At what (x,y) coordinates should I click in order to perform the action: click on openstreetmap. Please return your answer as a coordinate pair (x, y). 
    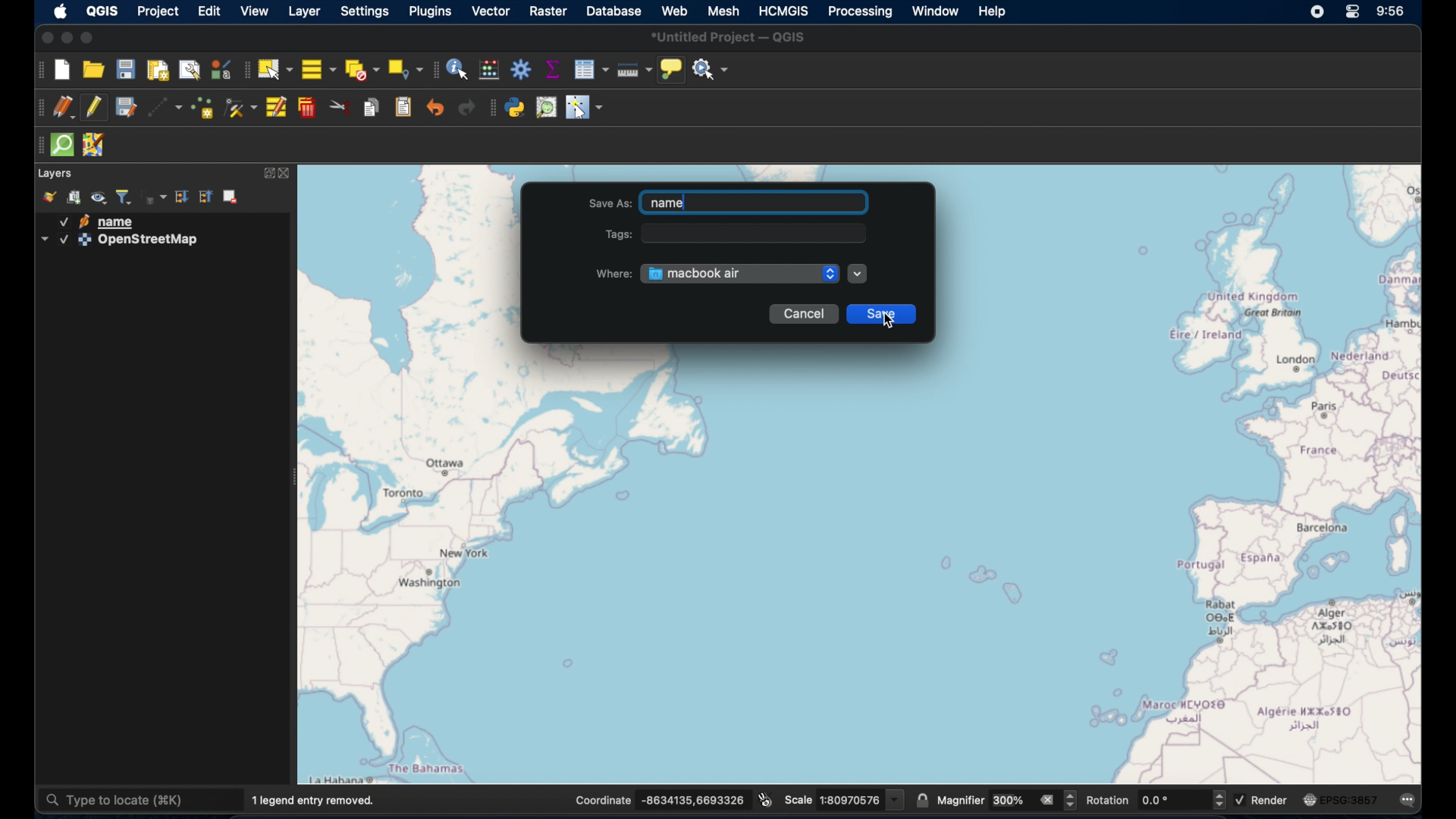
    Looking at the image, I should click on (120, 242).